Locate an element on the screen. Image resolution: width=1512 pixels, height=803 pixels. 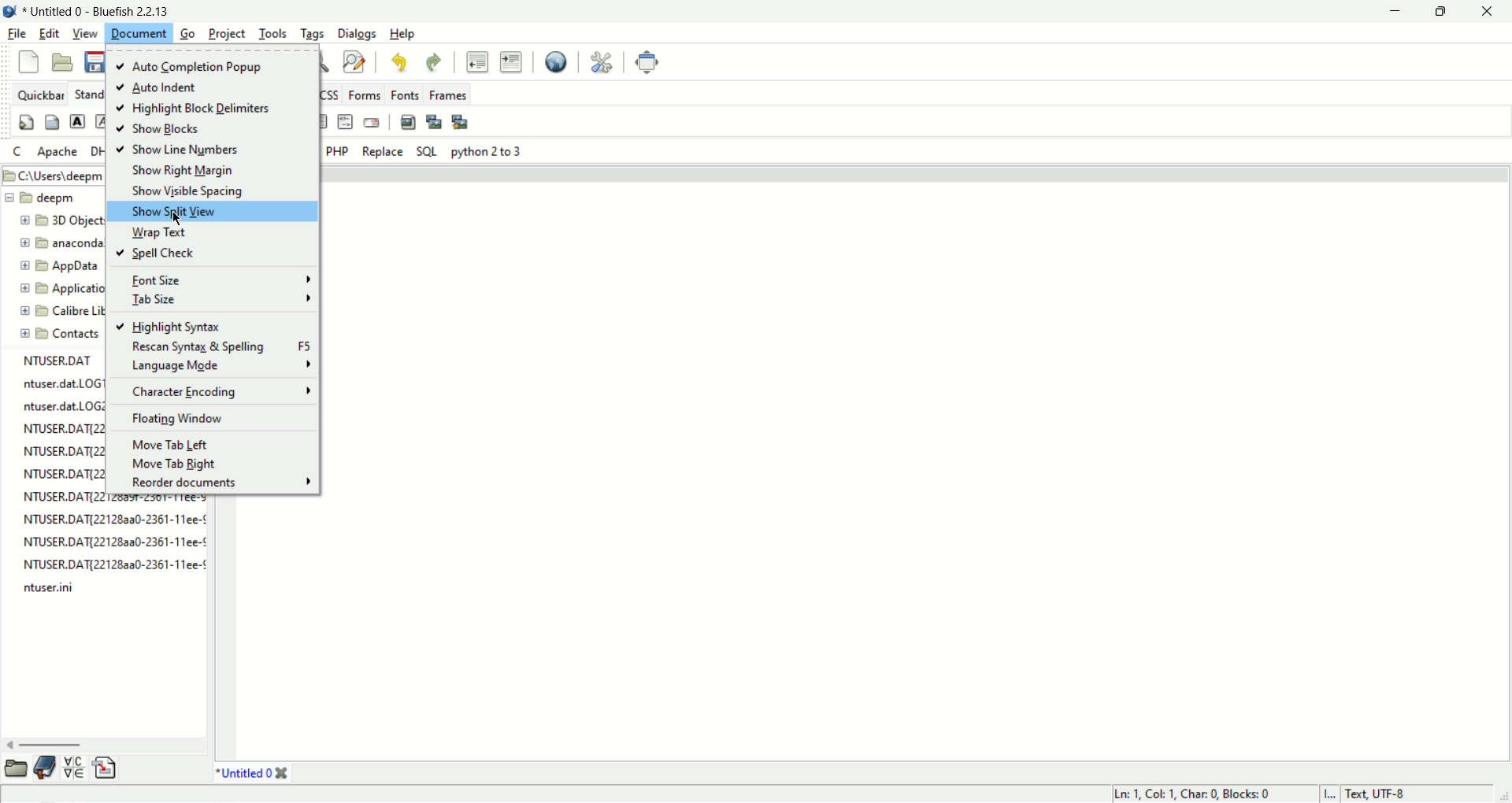
folder name is located at coordinates (63, 335).